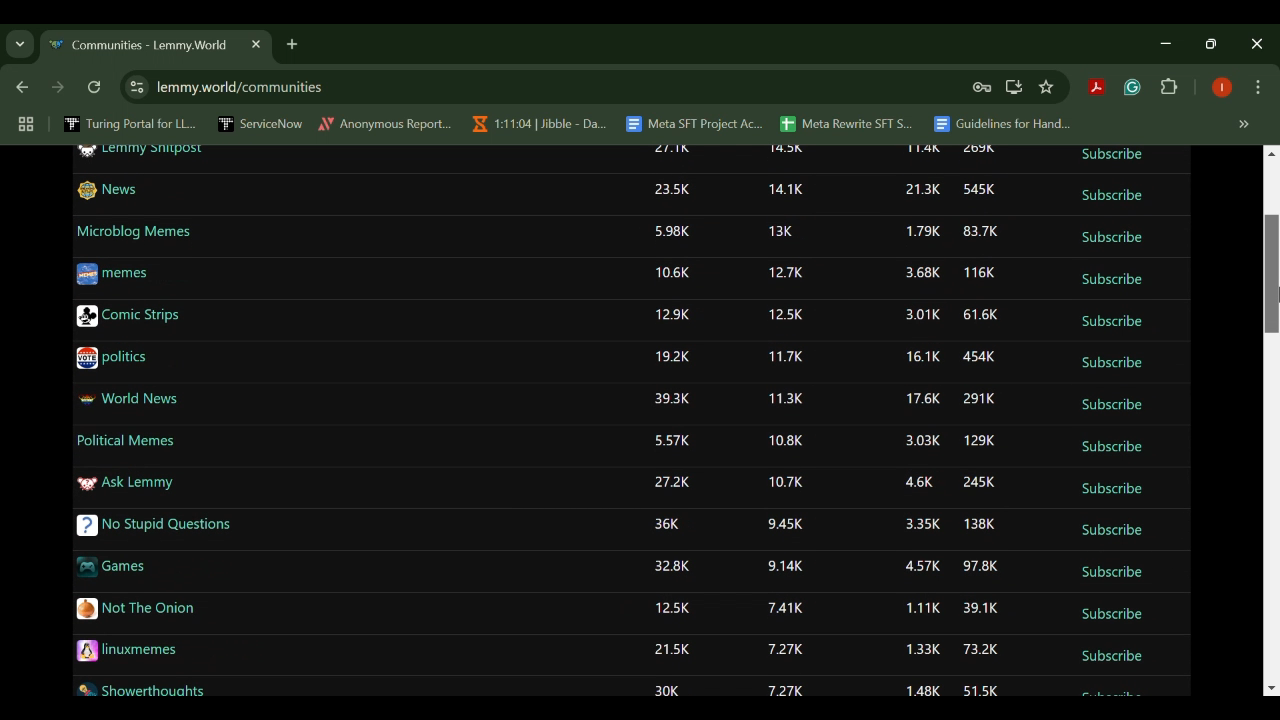  I want to click on Turing Portal for LL..., so click(130, 126).